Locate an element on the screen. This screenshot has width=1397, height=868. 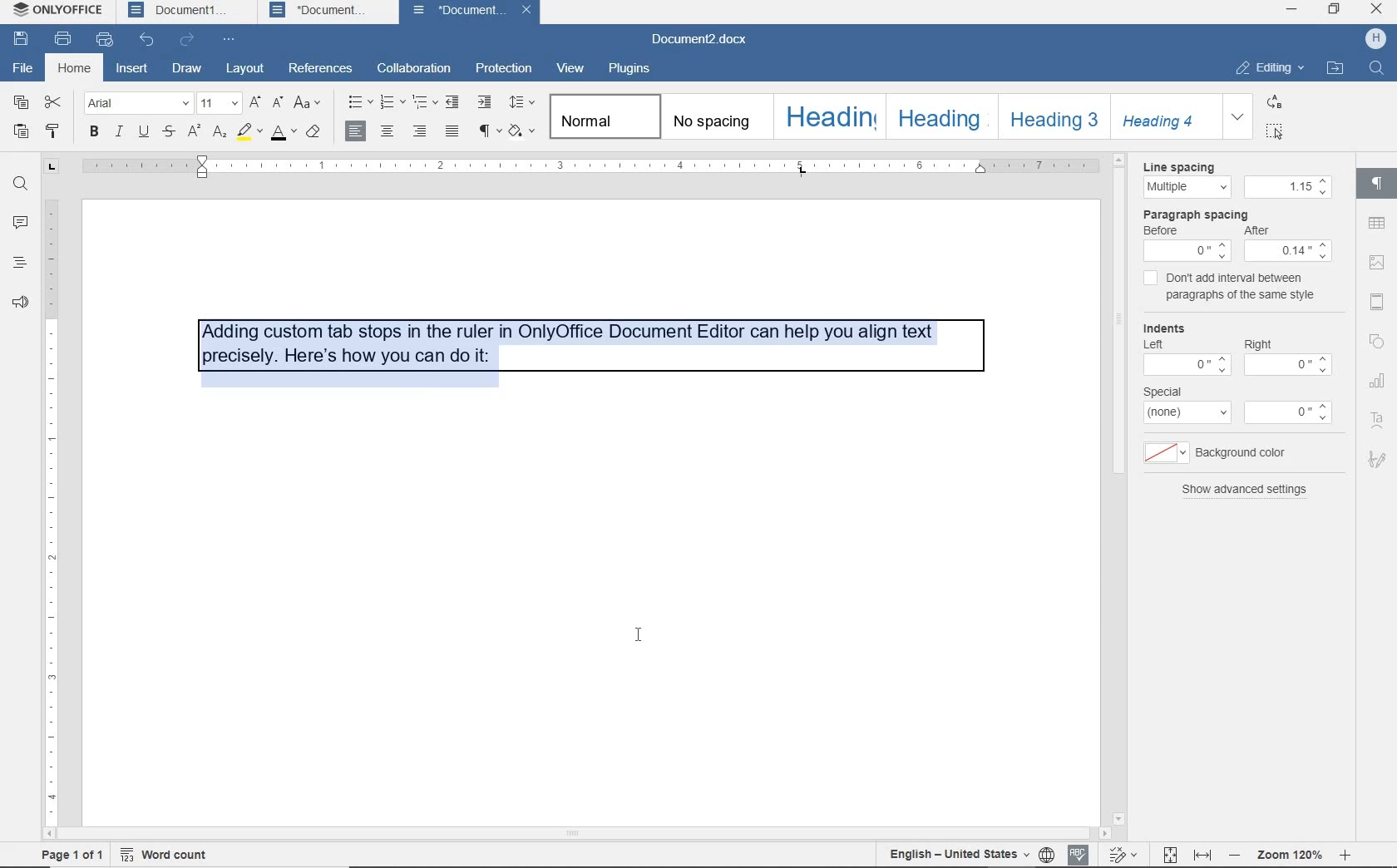
minimize is located at coordinates (1291, 8).